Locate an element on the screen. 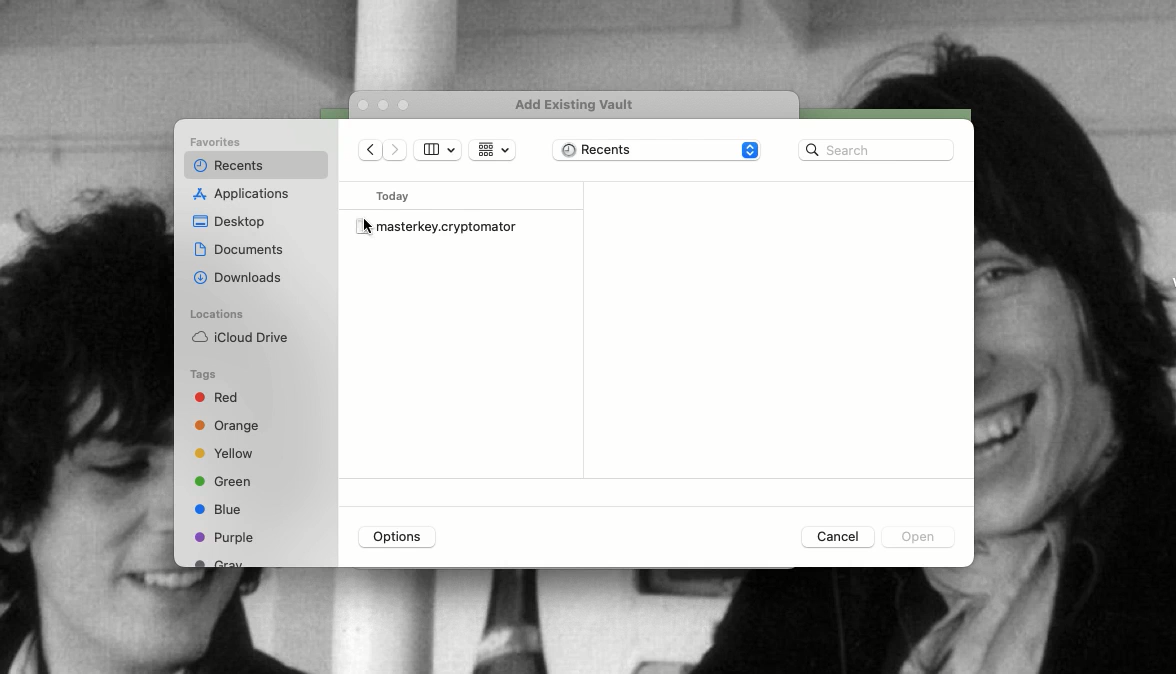  Recents is located at coordinates (226, 166).